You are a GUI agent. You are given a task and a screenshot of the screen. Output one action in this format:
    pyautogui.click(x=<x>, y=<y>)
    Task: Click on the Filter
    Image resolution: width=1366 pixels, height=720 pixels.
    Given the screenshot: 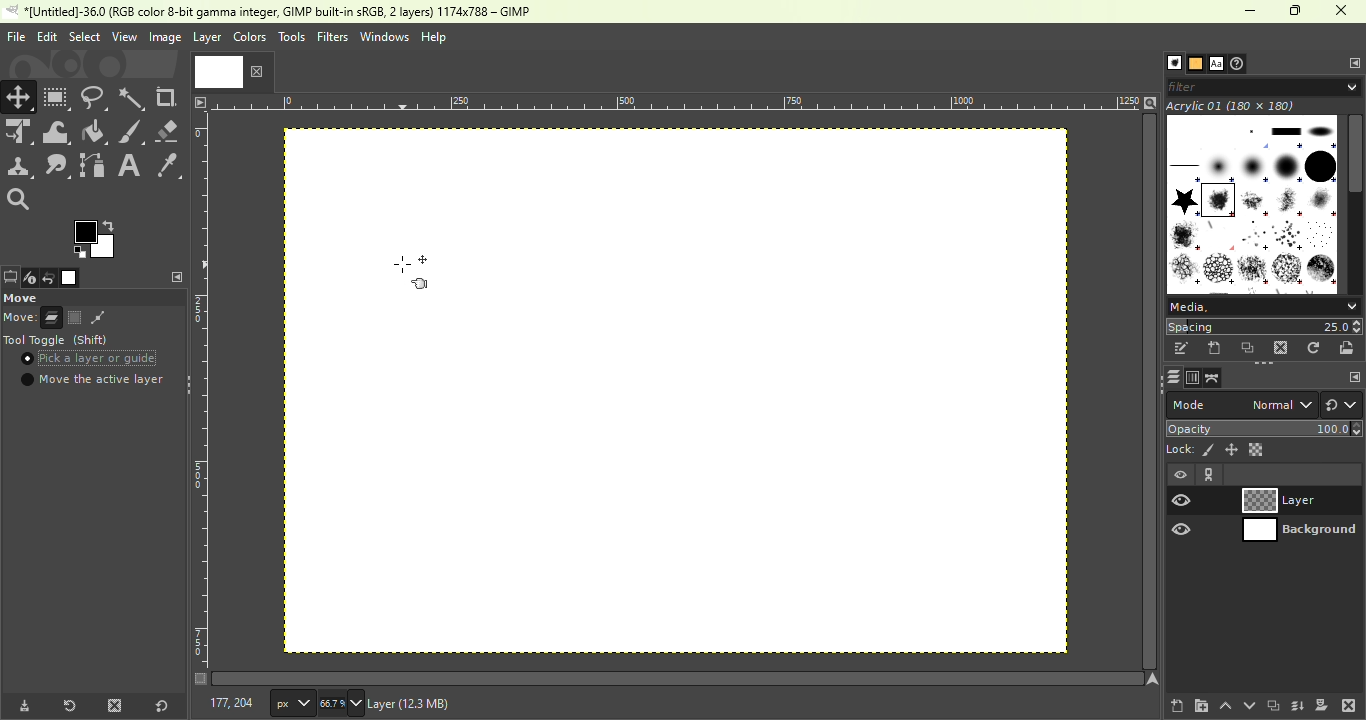 What is the action you would take?
    pyautogui.click(x=1266, y=86)
    